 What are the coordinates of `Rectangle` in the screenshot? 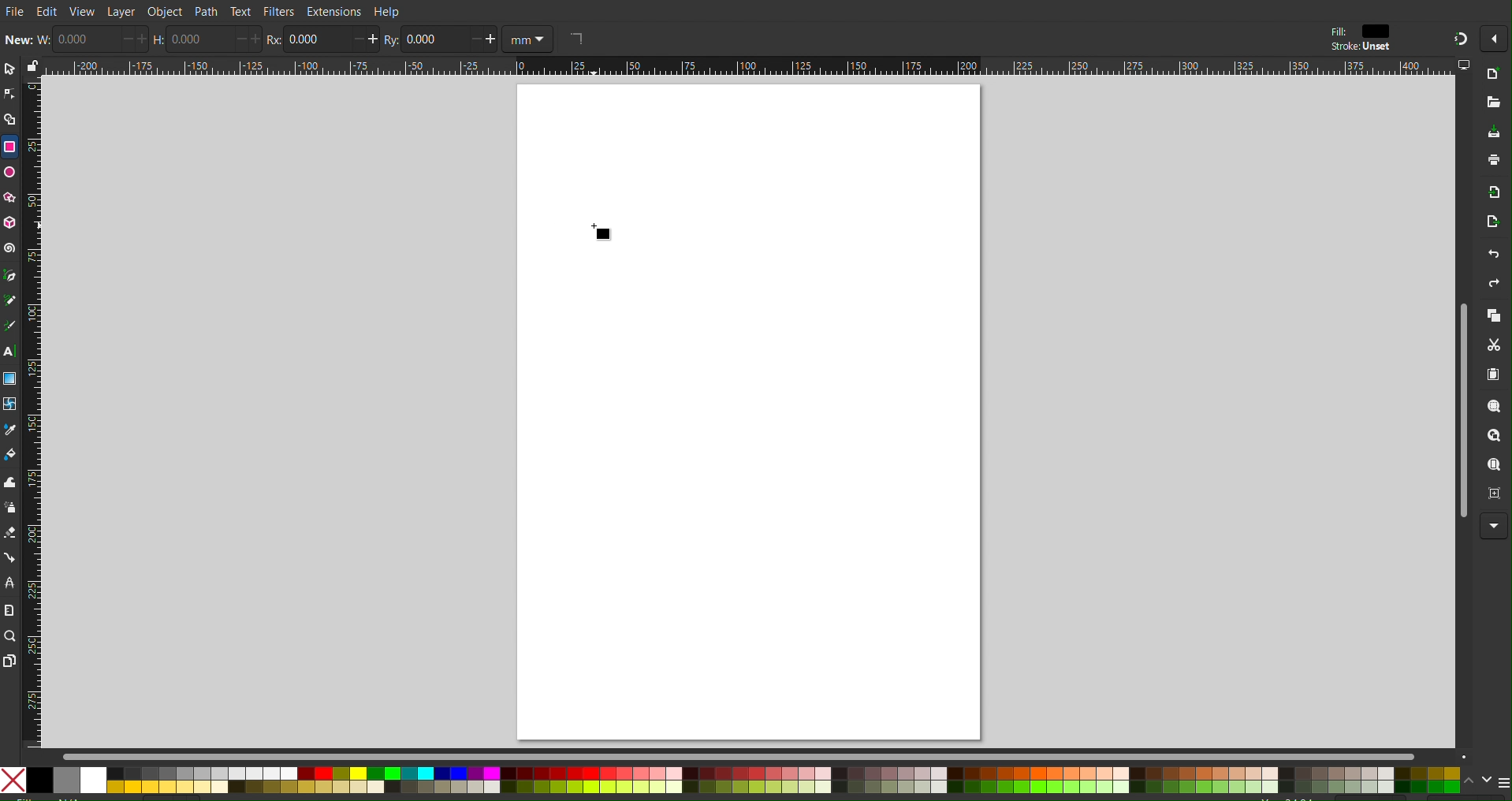 It's located at (9, 147).